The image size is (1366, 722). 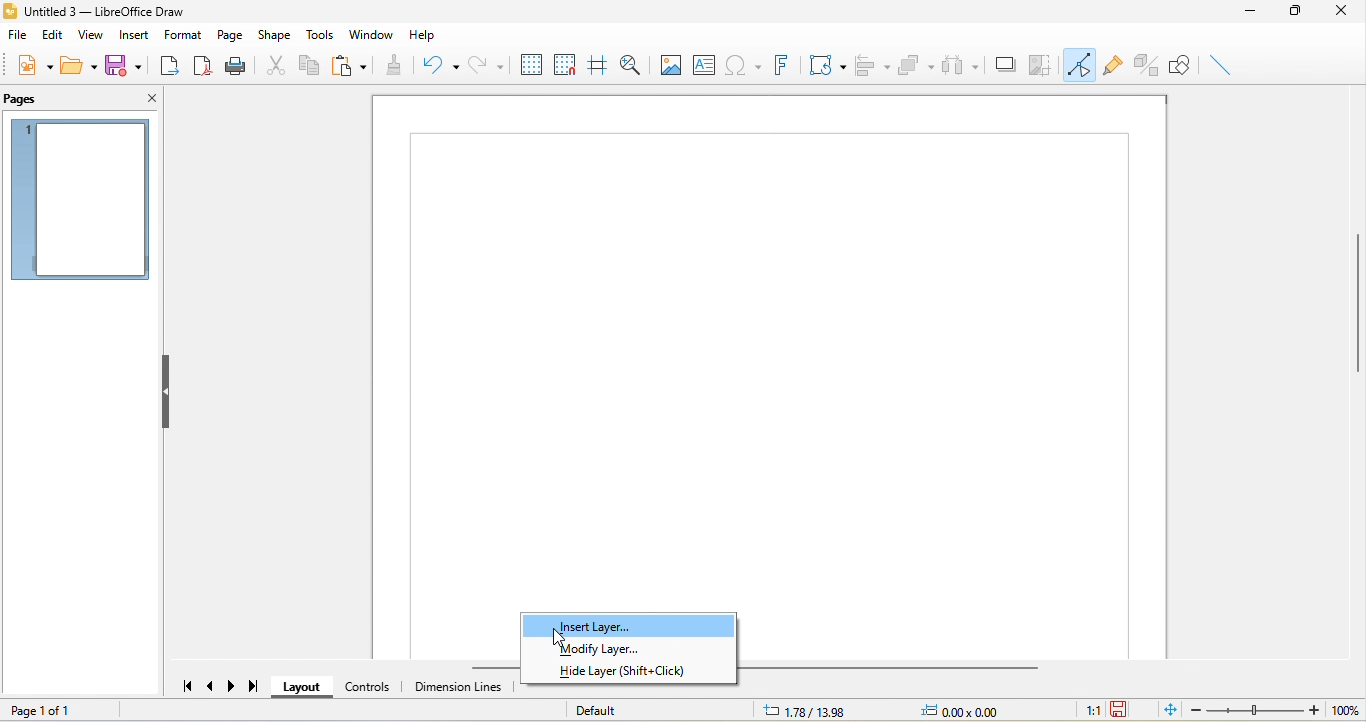 I want to click on control, so click(x=369, y=687).